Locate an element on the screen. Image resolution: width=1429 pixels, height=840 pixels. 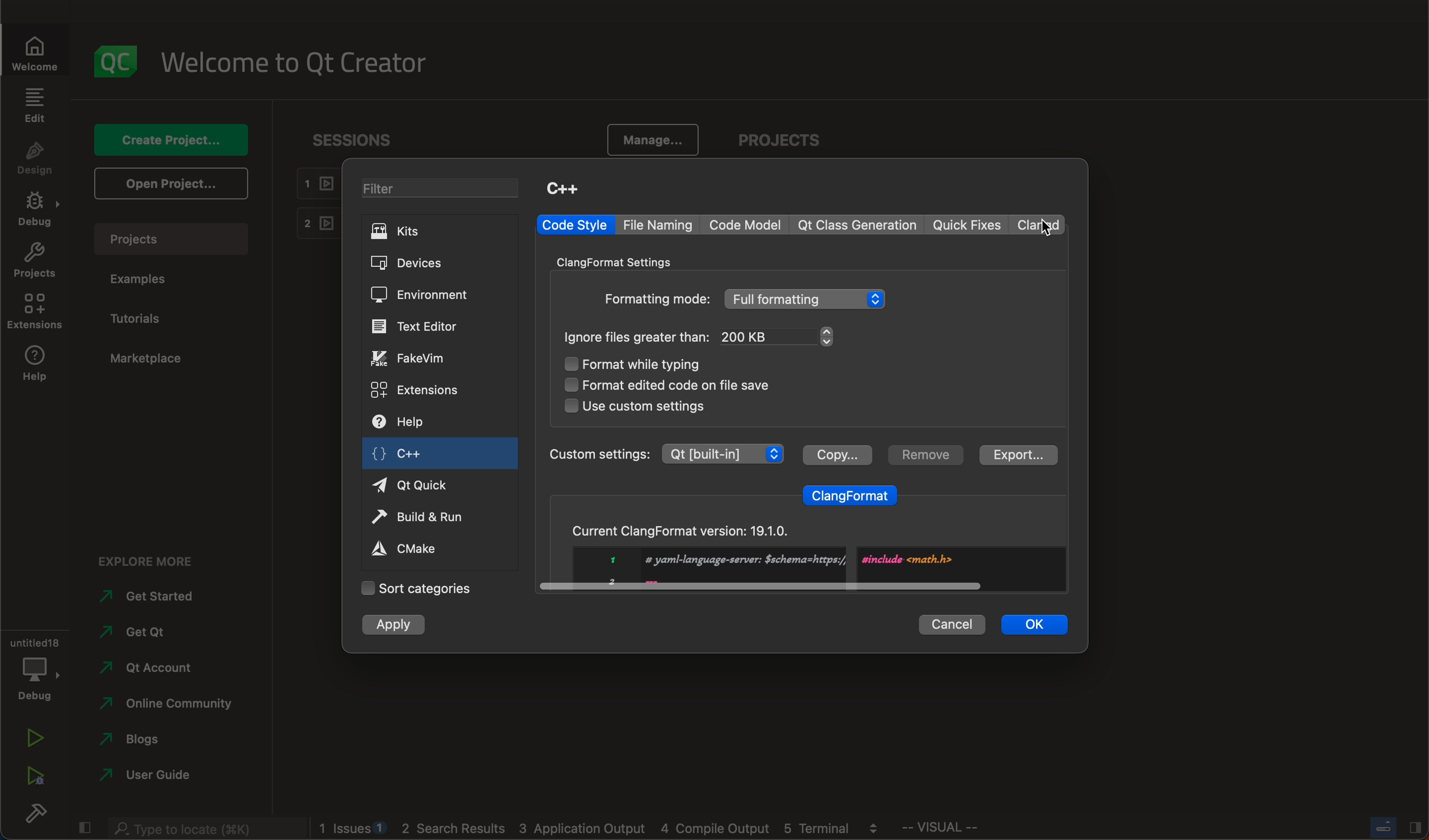
tutorials is located at coordinates (145, 315).